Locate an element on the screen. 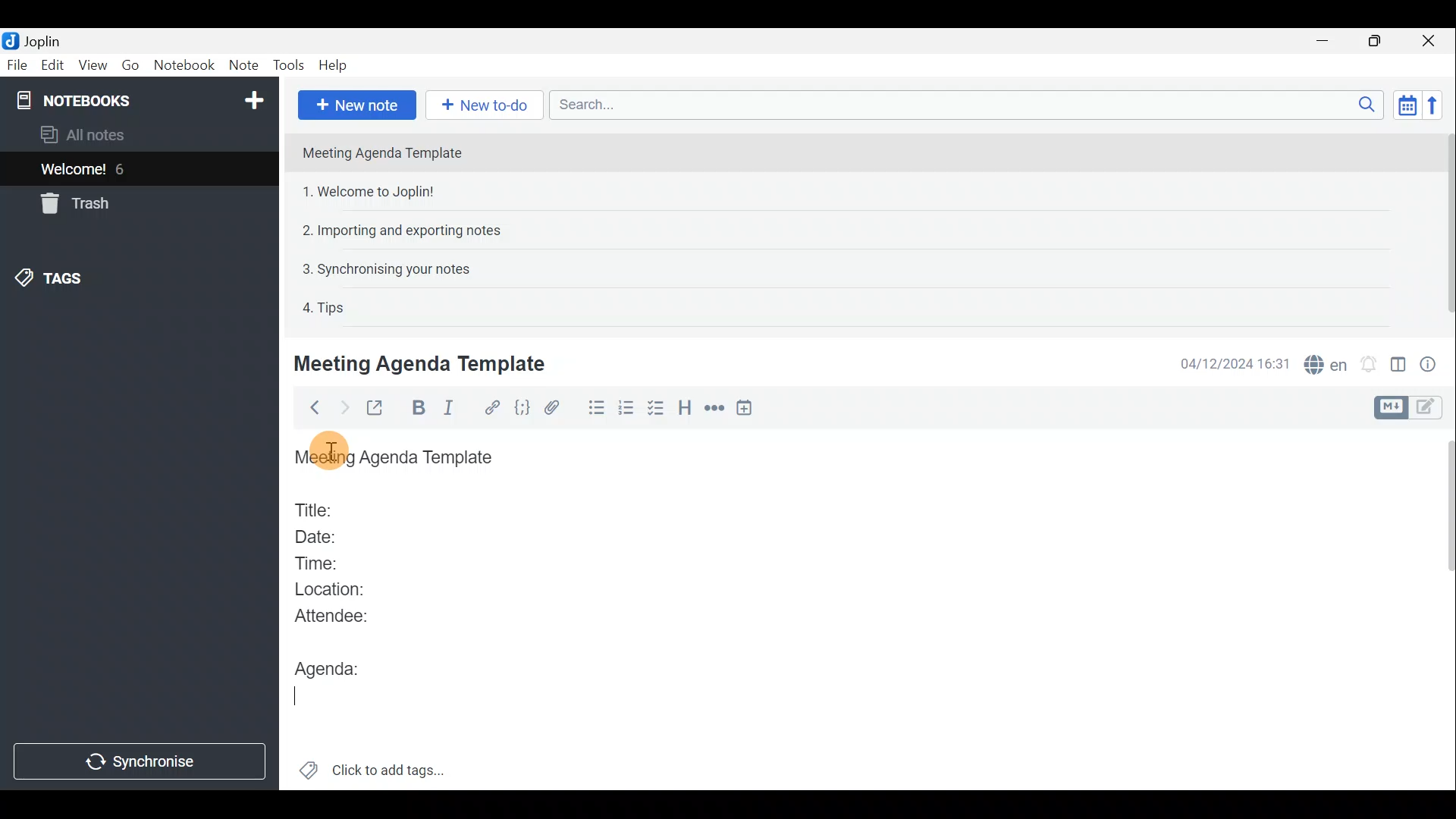 Image resolution: width=1456 pixels, height=819 pixels. Joplin is located at coordinates (42, 40).